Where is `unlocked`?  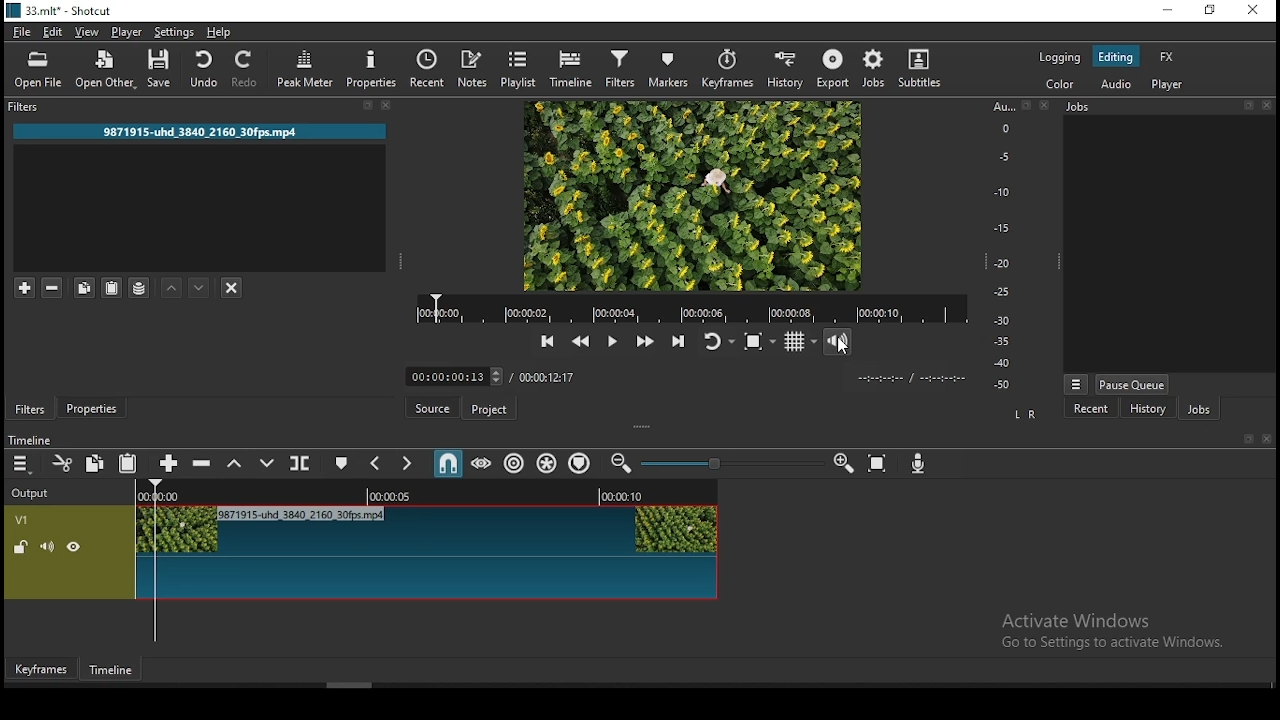 unlocked is located at coordinates (20, 547).